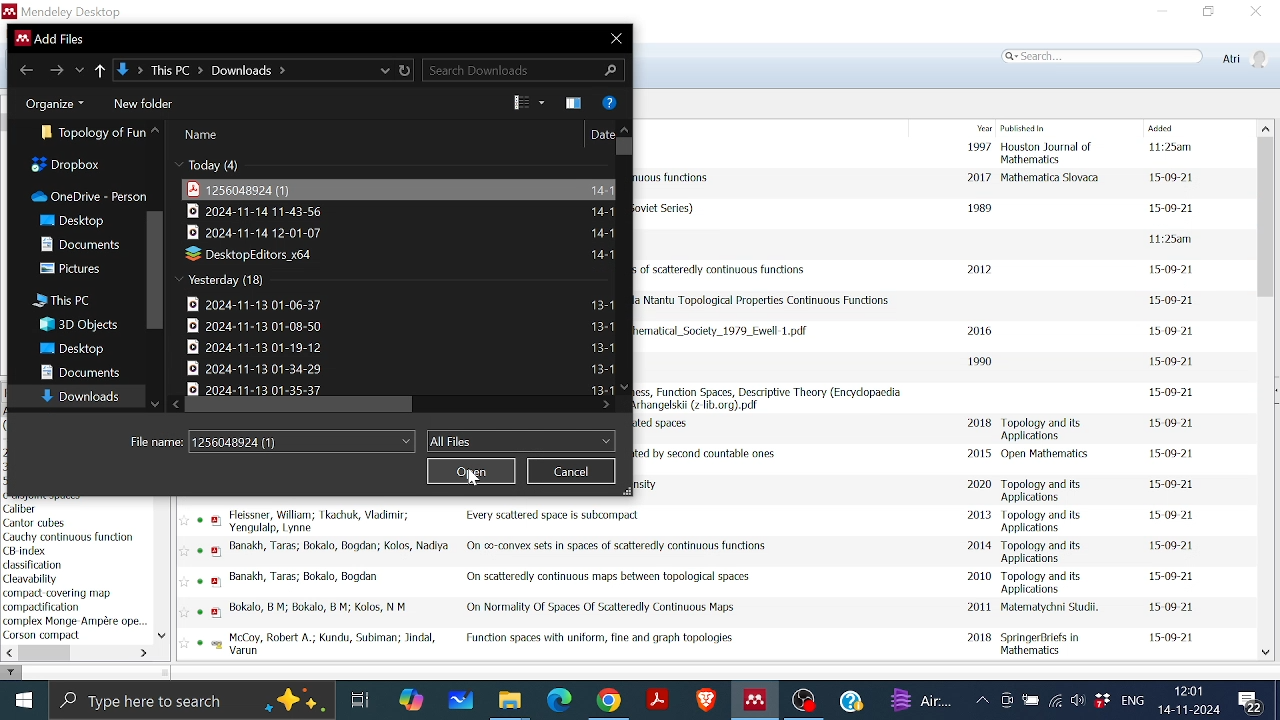  What do you see at coordinates (1171, 454) in the screenshot?
I see `date` at bounding box center [1171, 454].